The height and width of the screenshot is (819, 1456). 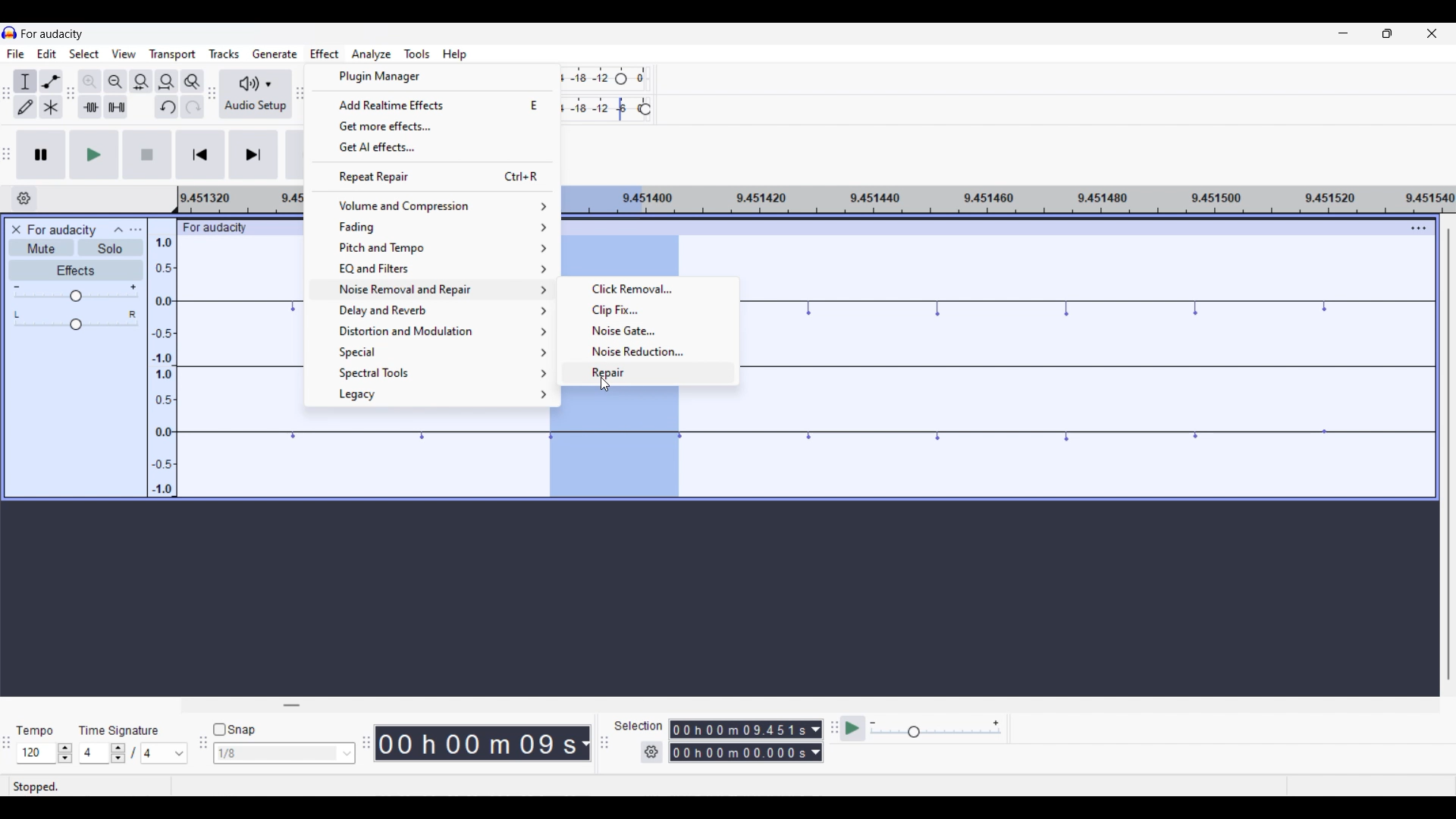 What do you see at coordinates (16, 54) in the screenshot?
I see `File menu` at bounding box center [16, 54].